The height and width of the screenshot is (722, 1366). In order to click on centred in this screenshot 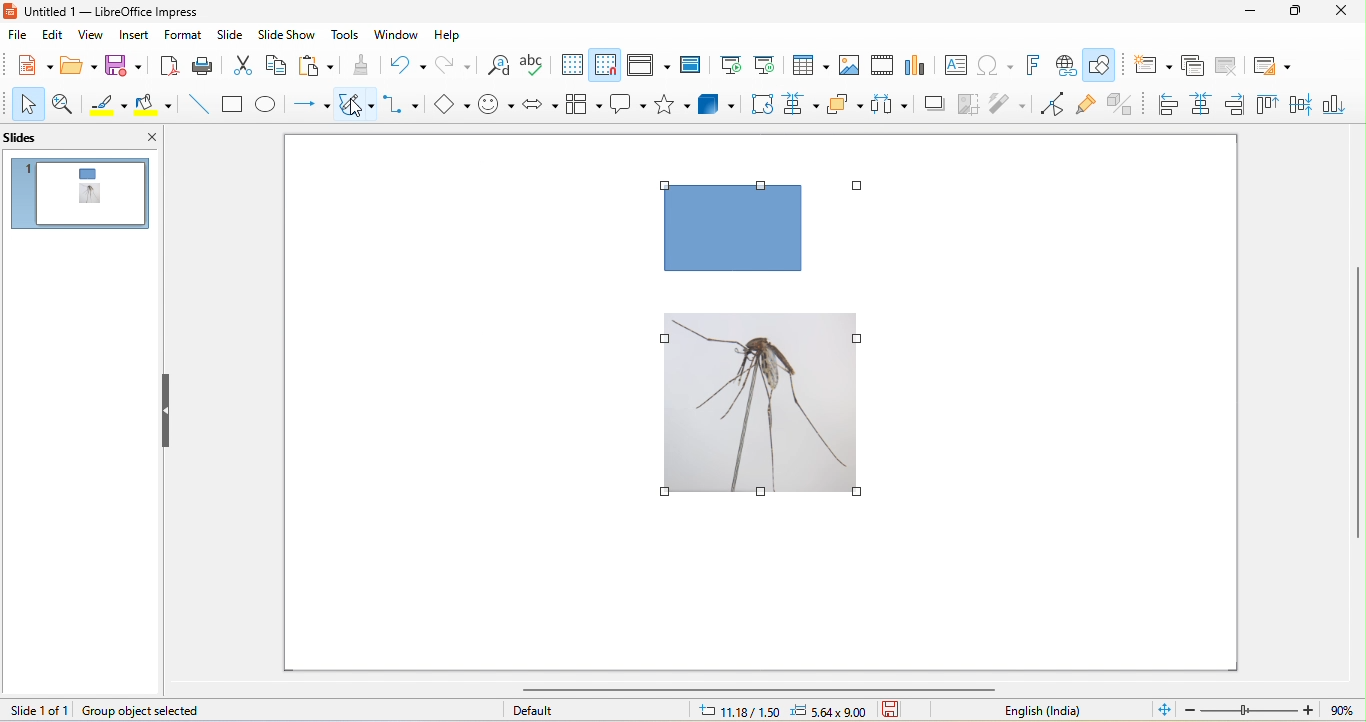, I will do `click(1201, 105)`.